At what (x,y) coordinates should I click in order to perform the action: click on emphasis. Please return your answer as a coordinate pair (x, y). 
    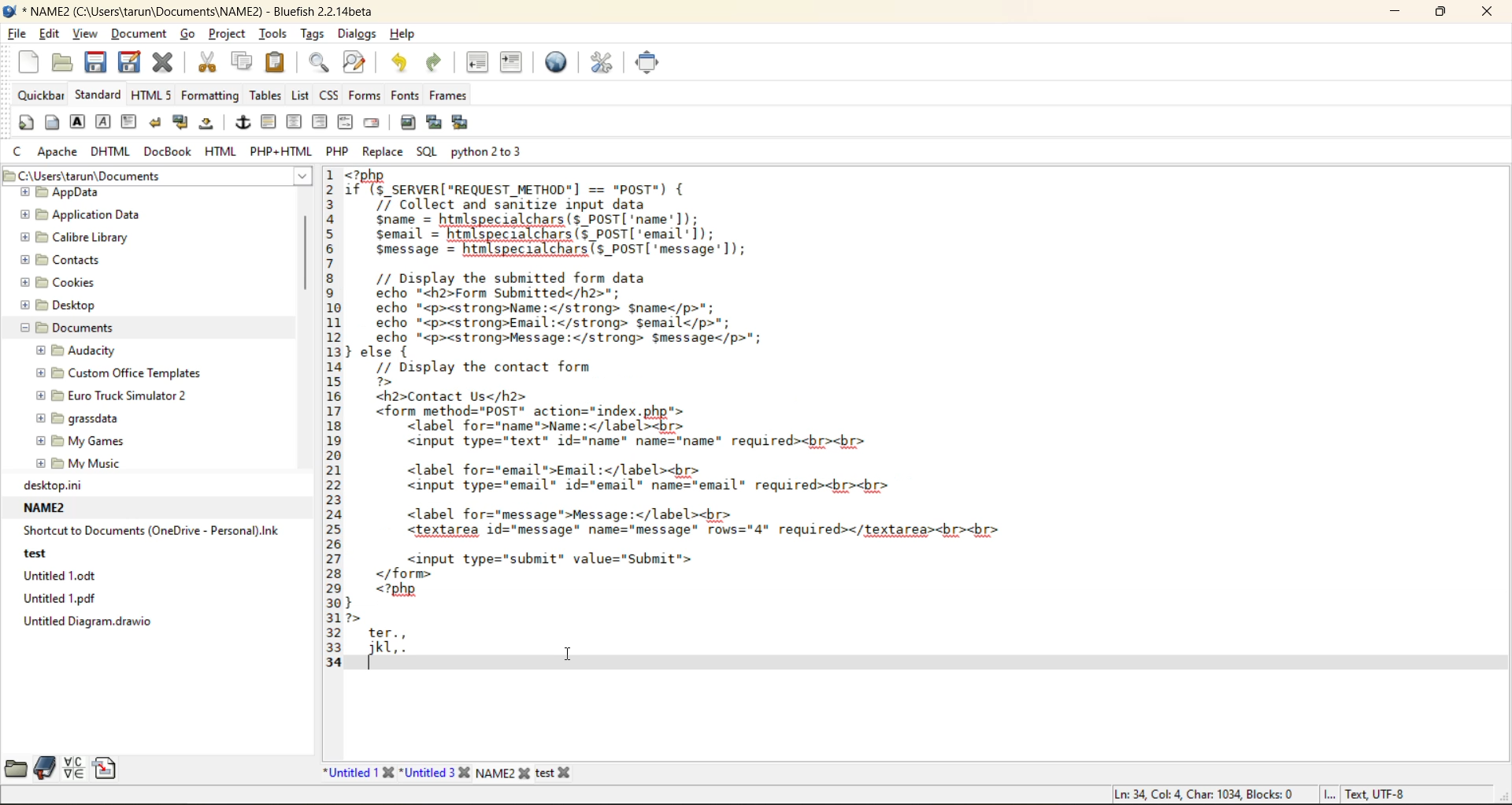
    Looking at the image, I should click on (103, 122).